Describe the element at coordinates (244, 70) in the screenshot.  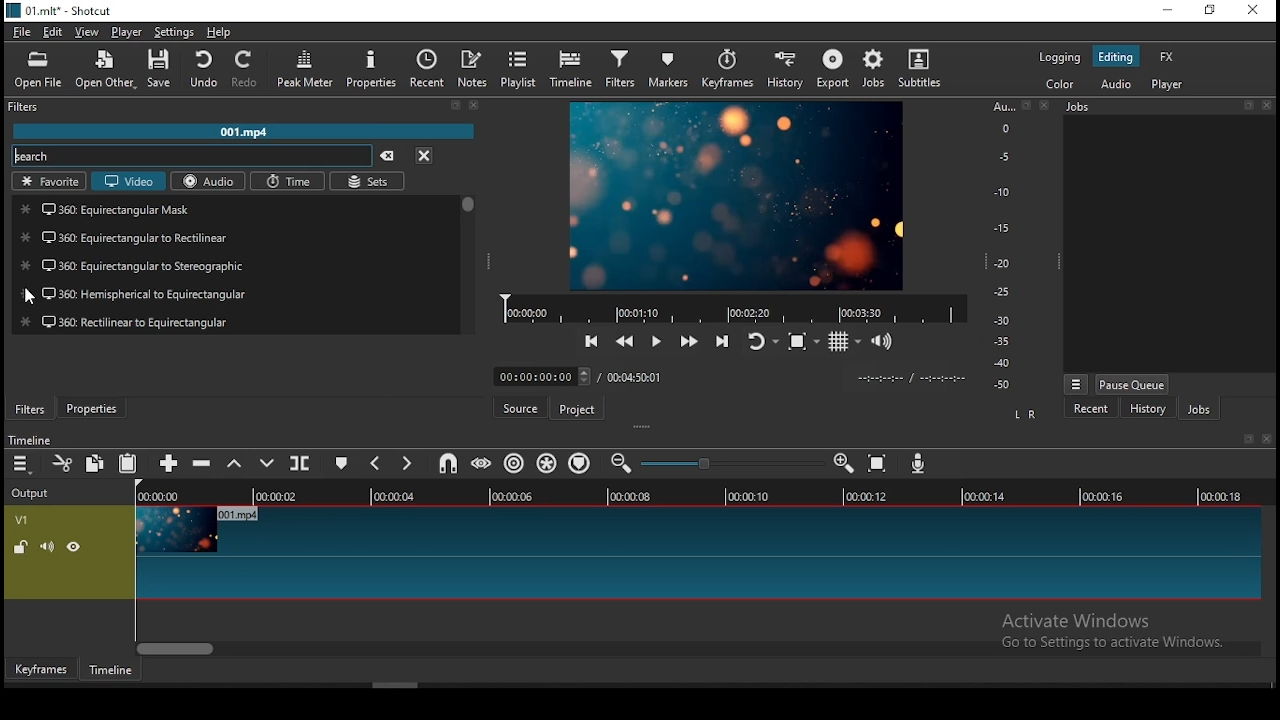
I see `Redo` at that location.